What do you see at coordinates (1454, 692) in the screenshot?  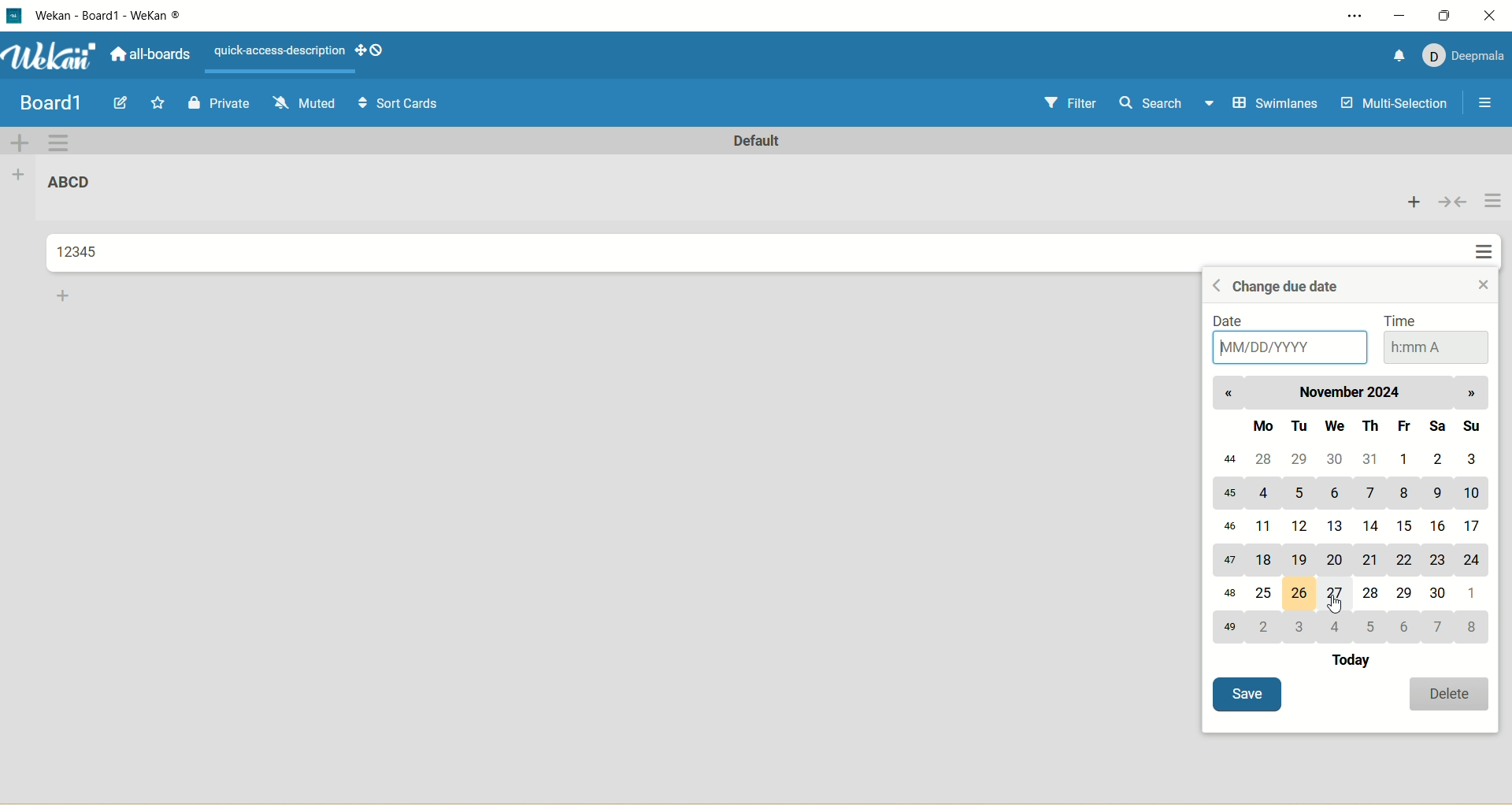 I see `delete` at bounding box center [1454, 692].